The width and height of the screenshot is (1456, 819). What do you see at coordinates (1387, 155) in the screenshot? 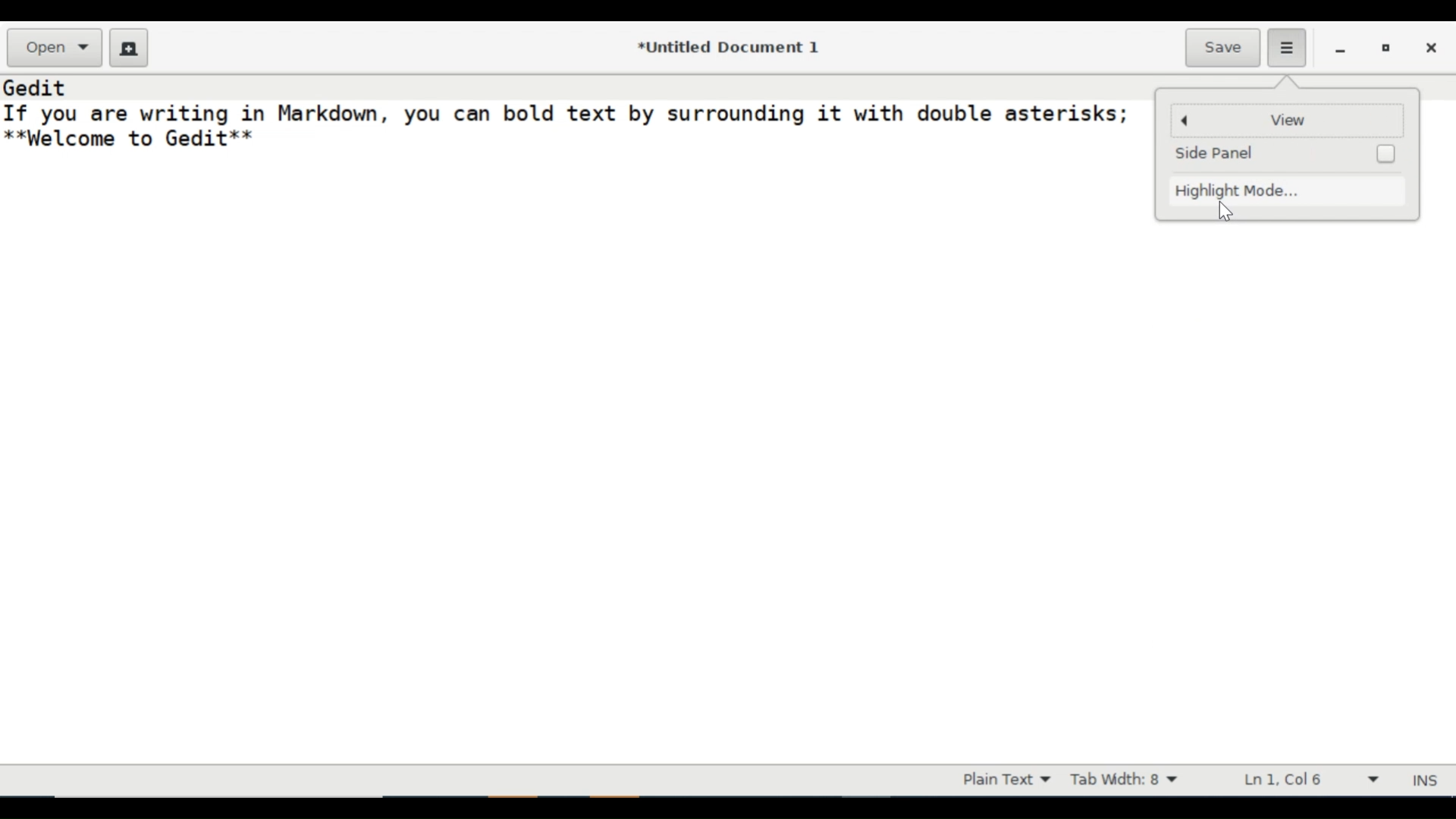
I see `Checkbox` at bounding box center [1387, 155].